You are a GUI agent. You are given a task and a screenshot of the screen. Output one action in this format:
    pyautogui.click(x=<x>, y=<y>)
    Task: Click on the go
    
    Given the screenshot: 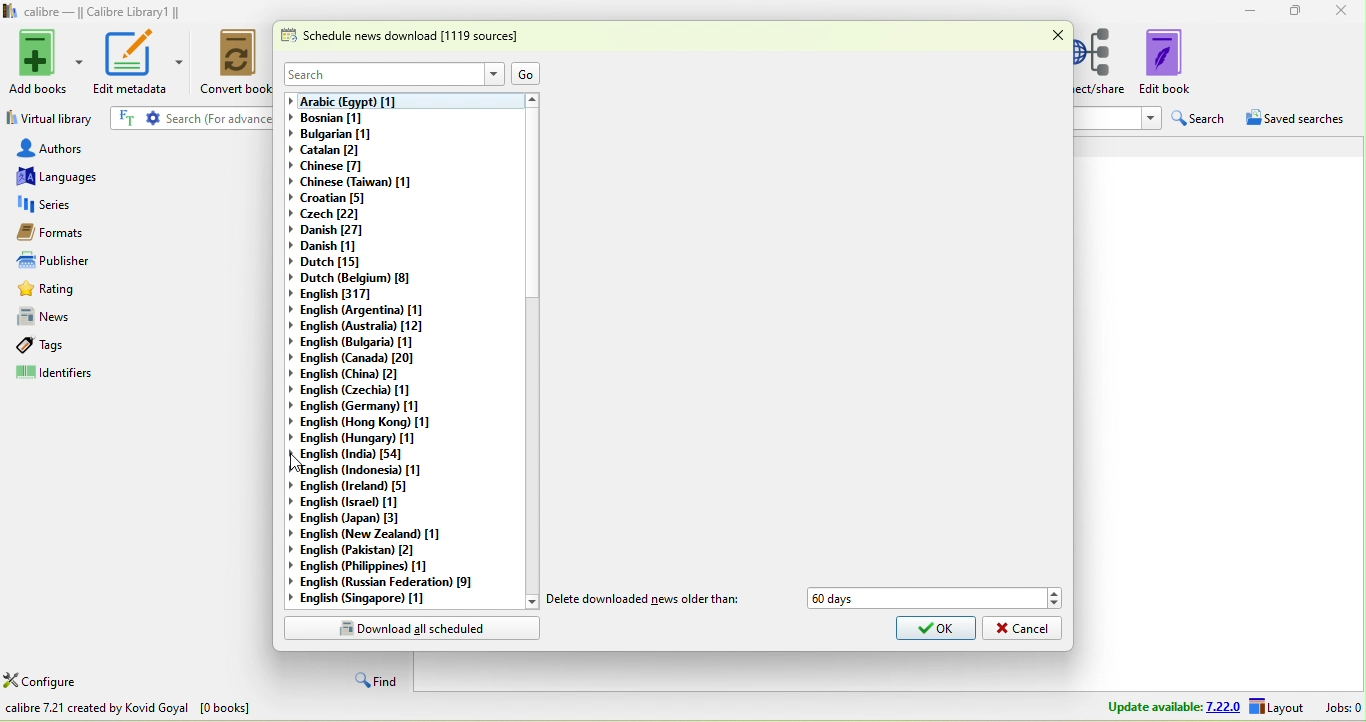 What is the action you would take?
    pyautogui.click(x=528, y=74)
    